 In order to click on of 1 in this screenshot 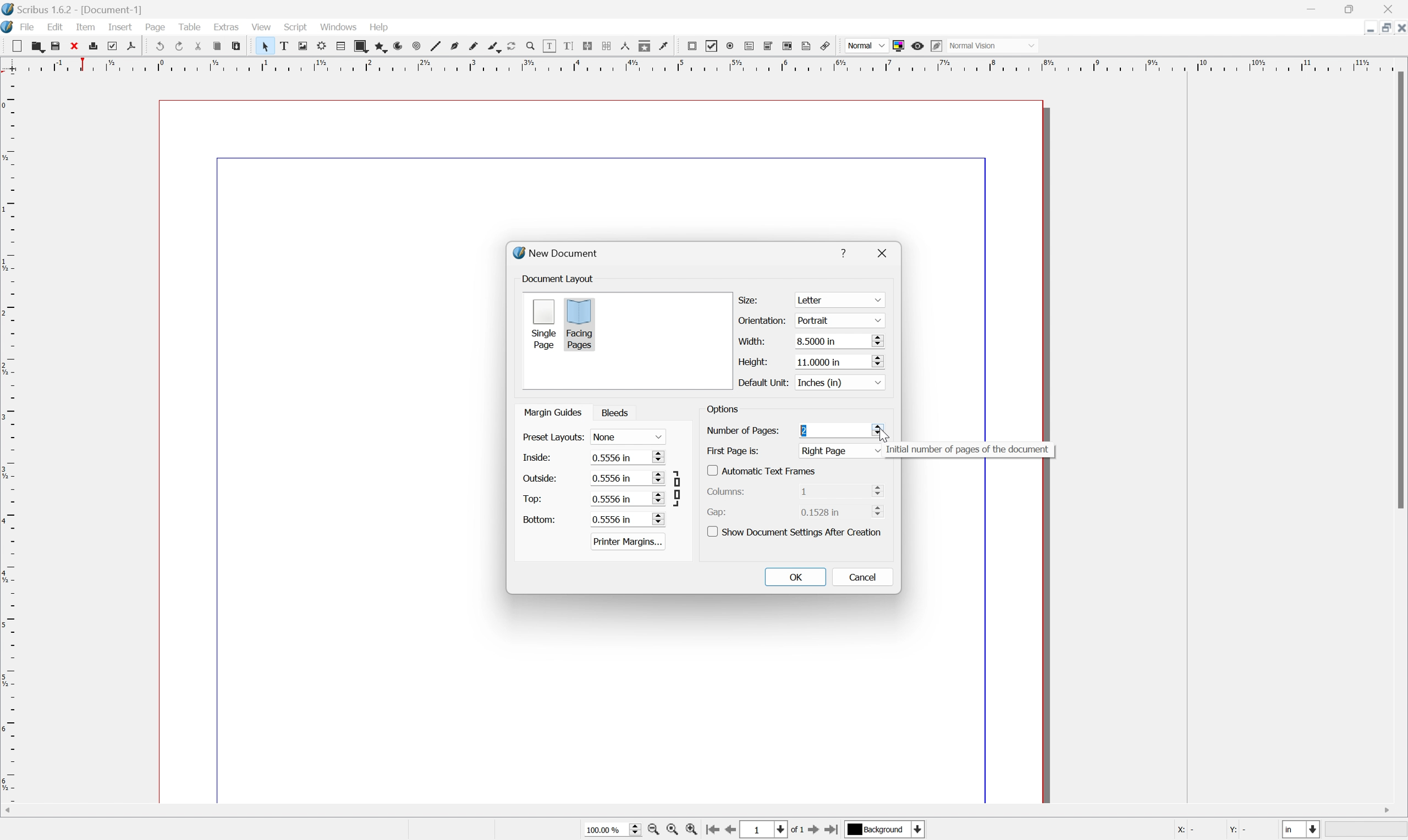, I will do `click(795, 829)`.